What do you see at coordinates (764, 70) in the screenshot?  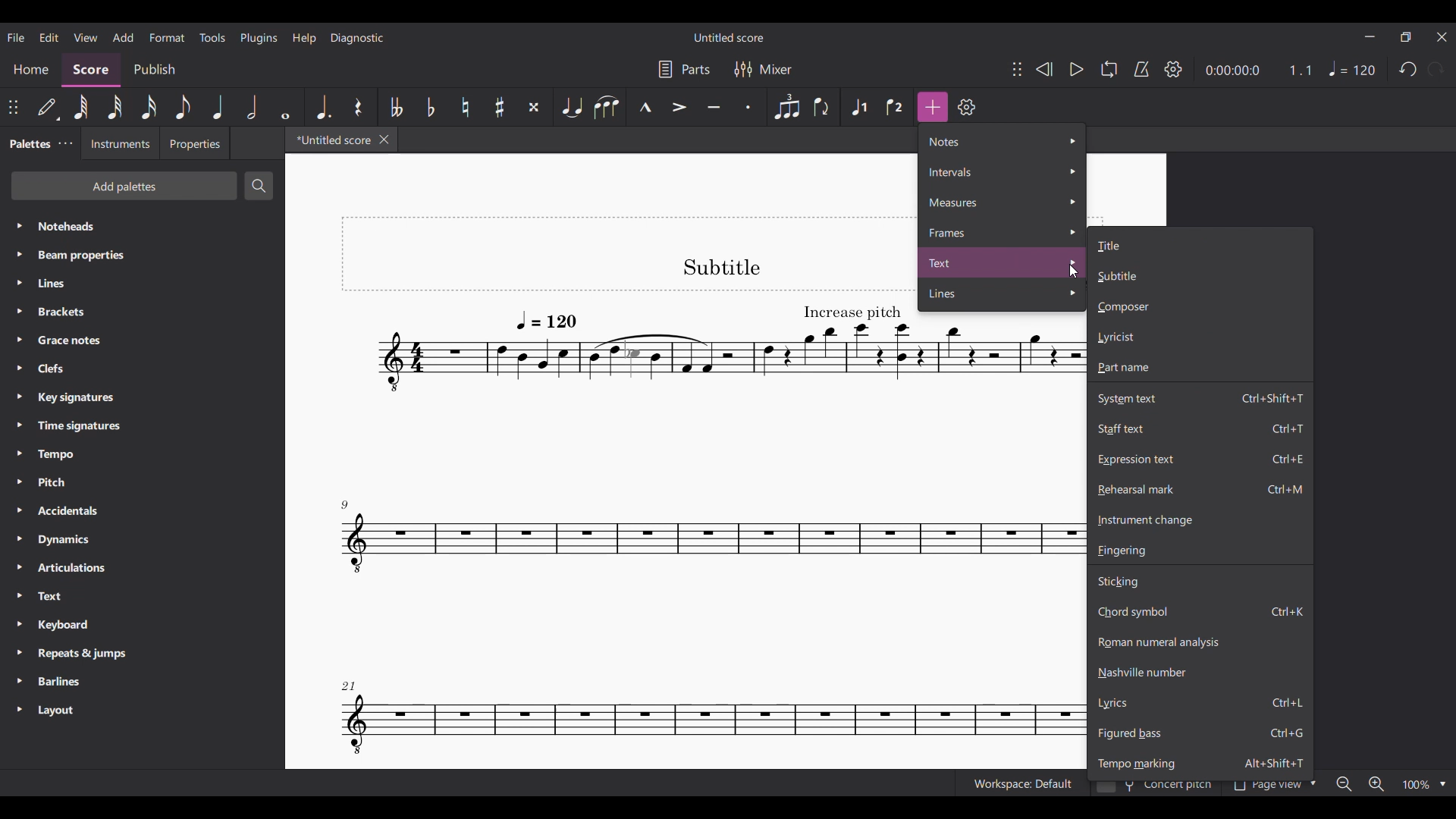 I see `Mixer settings` at bounding box center [764, 70].